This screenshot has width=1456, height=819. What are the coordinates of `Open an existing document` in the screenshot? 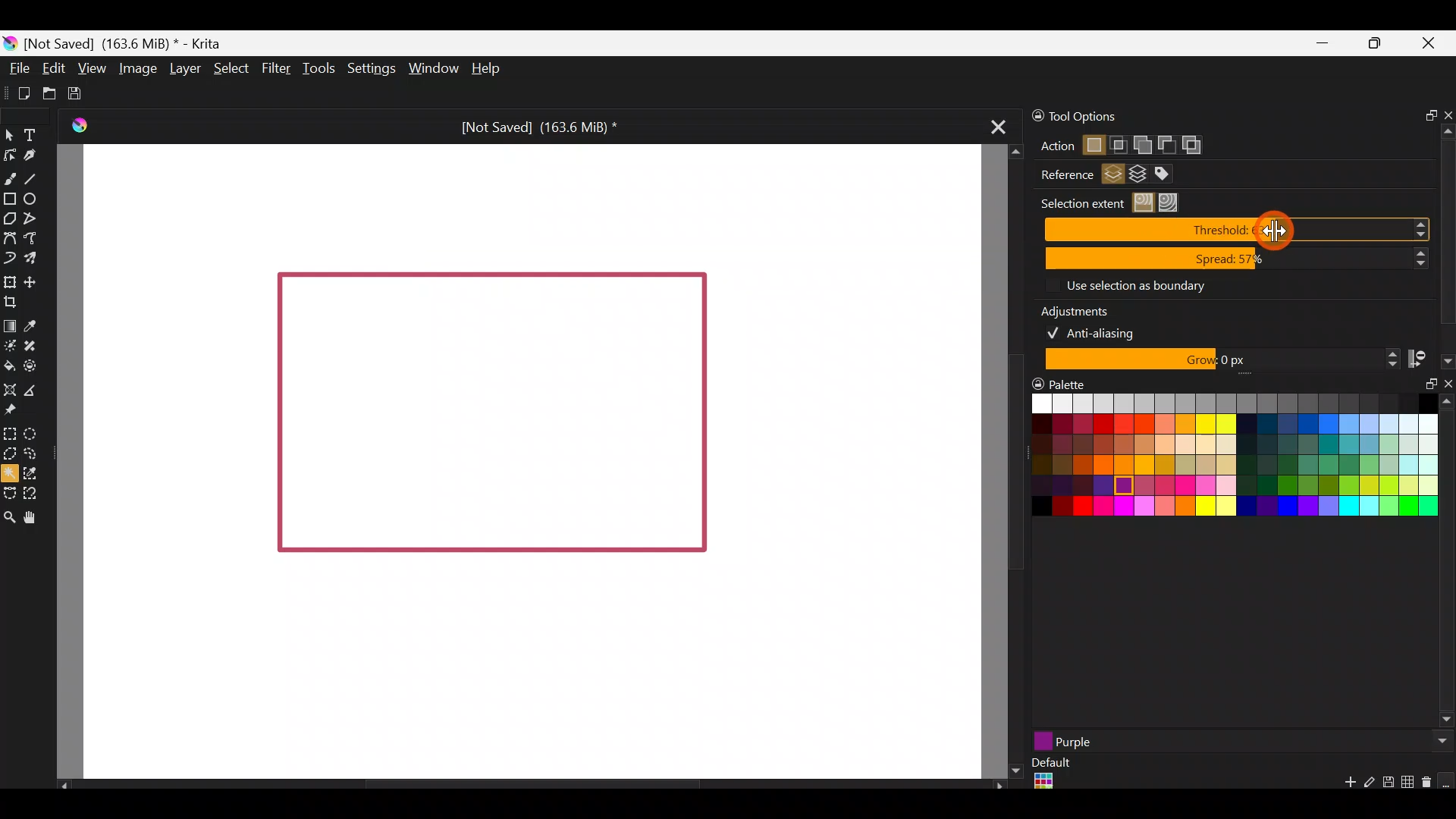 It's located at (49, 91).